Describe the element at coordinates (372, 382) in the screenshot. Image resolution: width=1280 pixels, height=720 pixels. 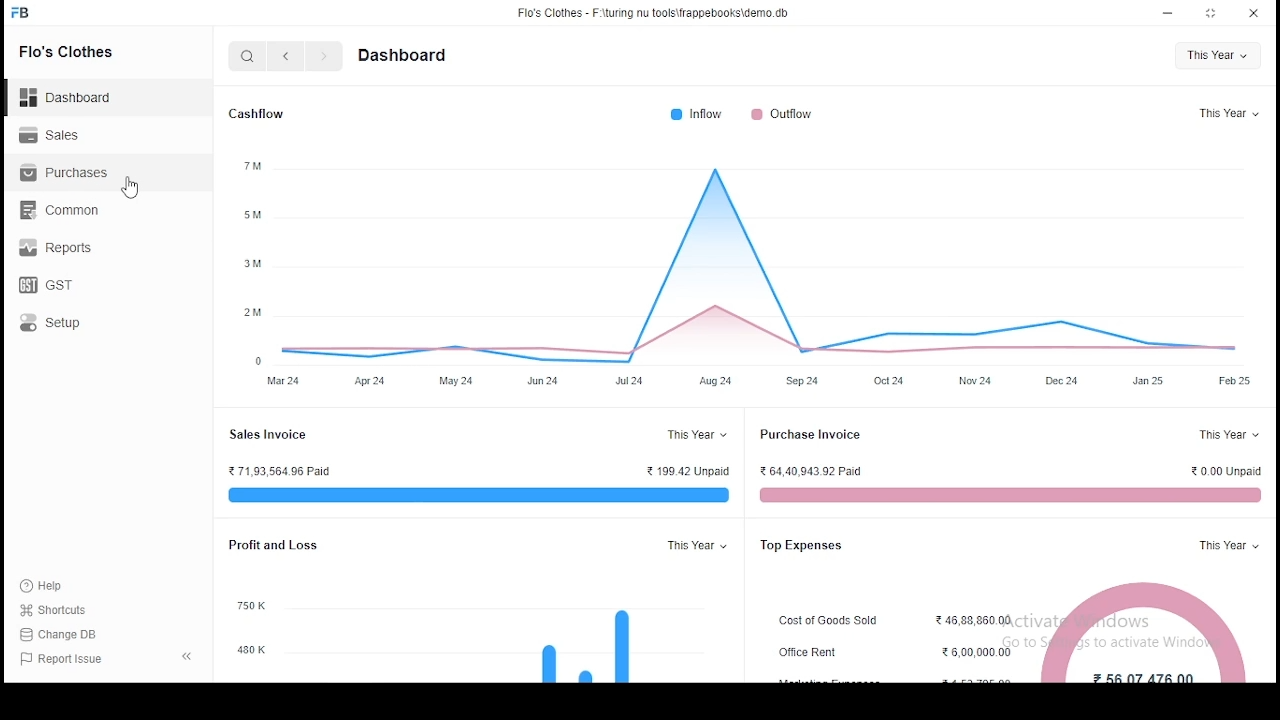
I see `apr 24` at that location.